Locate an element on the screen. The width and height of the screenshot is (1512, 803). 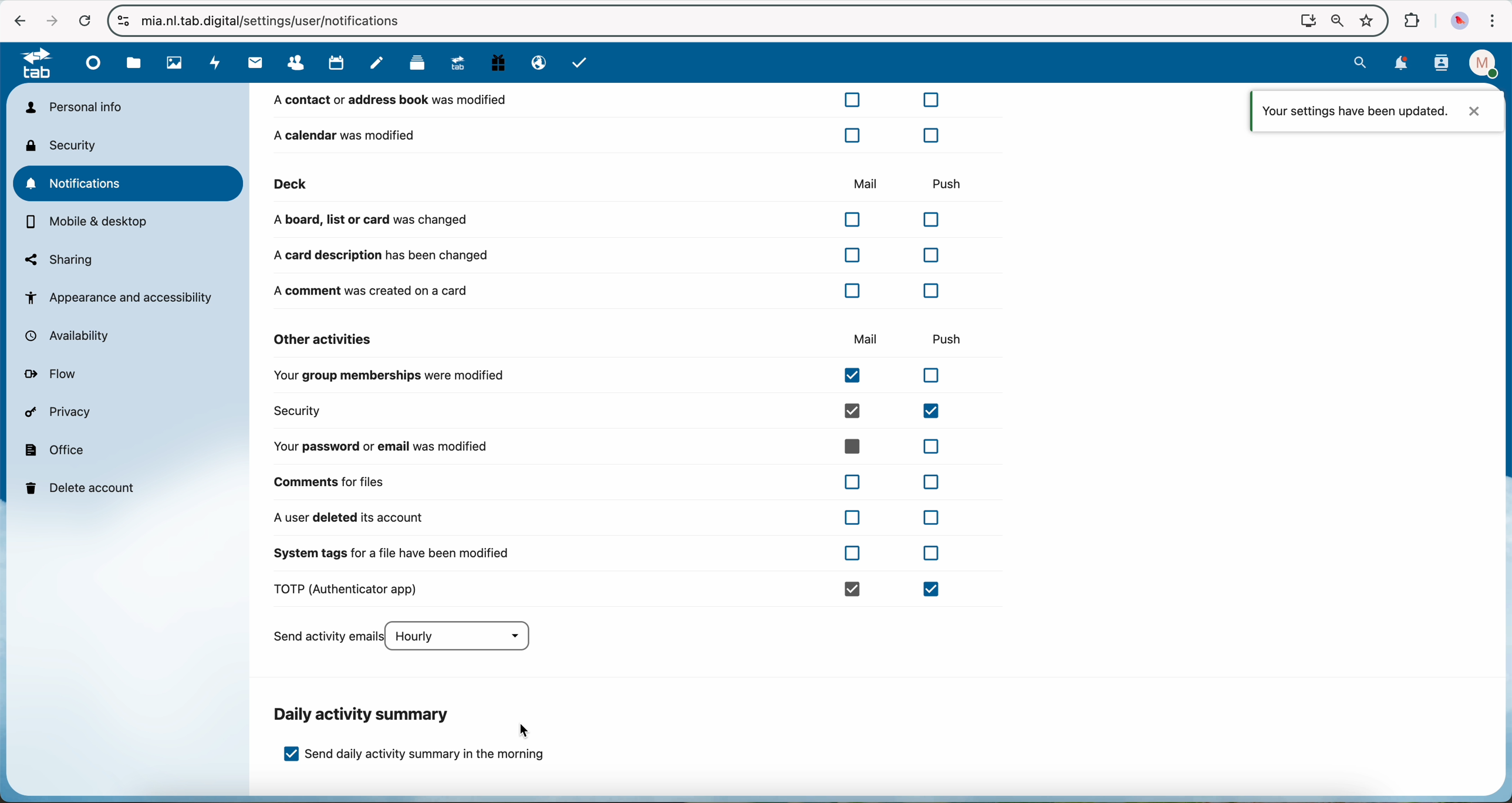
notifications is located at coordinates (1402, 63).